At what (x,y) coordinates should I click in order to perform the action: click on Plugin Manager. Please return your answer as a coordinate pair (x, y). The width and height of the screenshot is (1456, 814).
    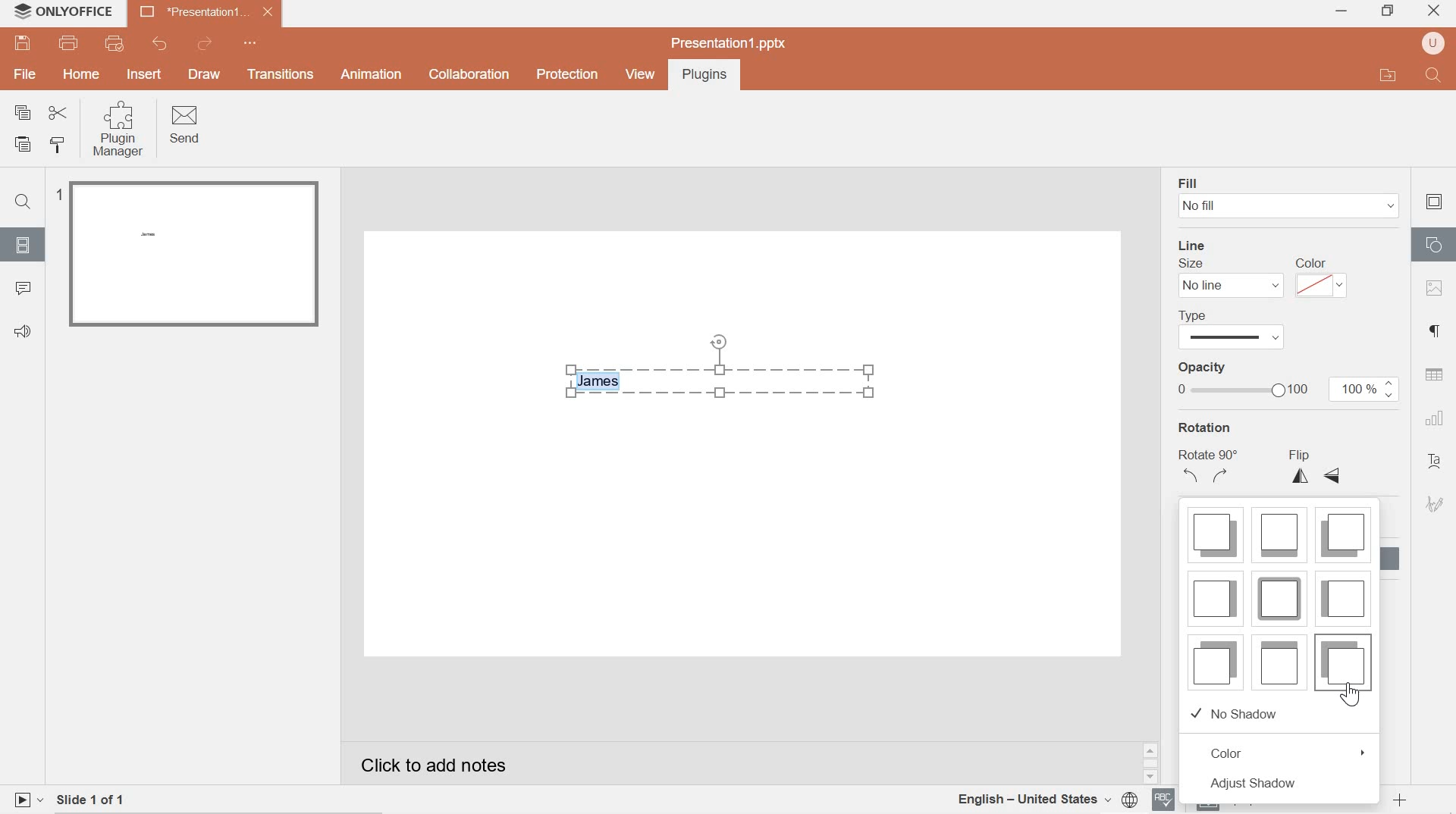
    Looking at the image, I should click on (121, 130).